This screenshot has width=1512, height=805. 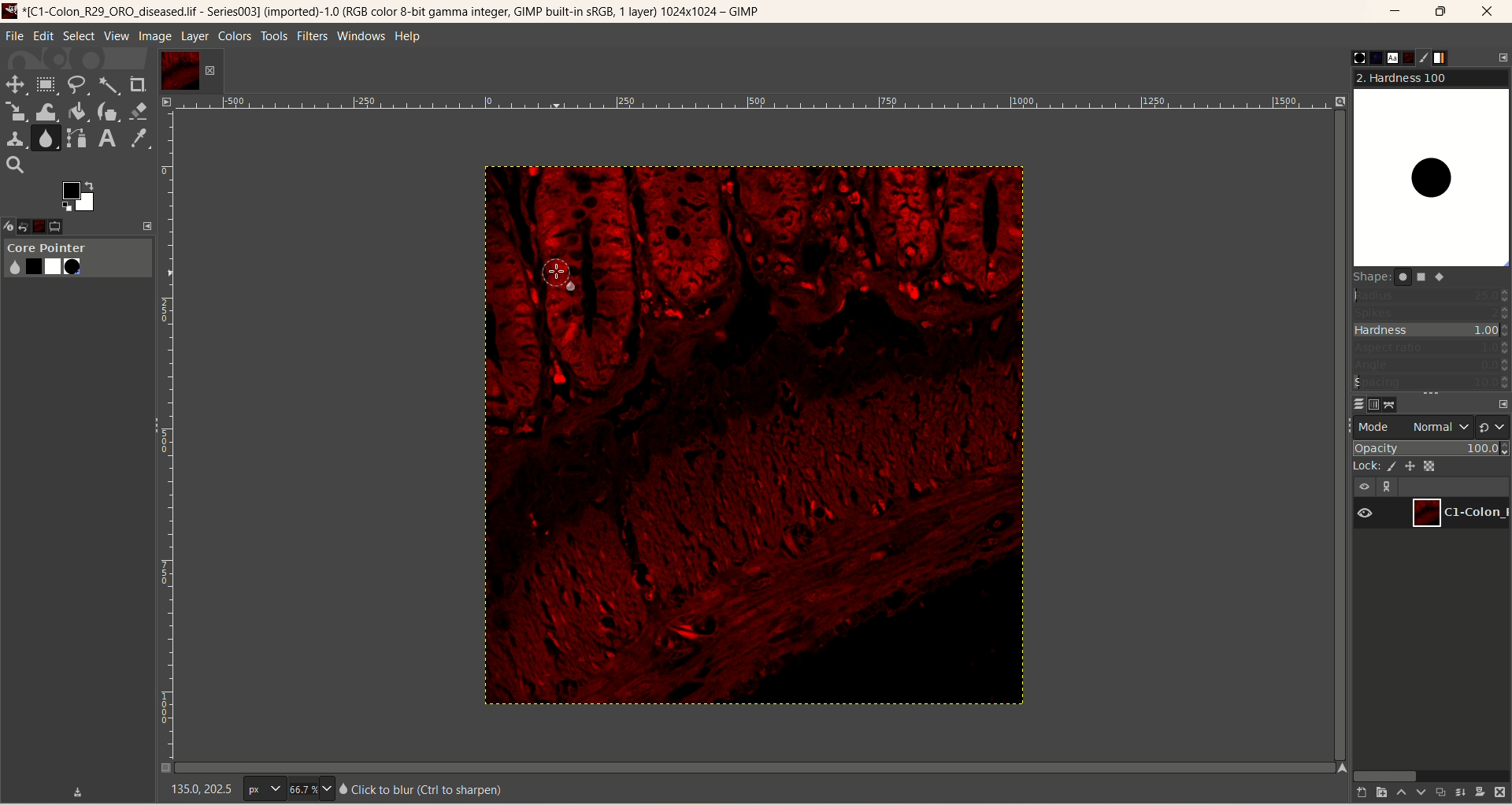 What do you see at coordinates (108, 111) in the screenshot?
I see `ink tool` at bounding box center [108, 111].